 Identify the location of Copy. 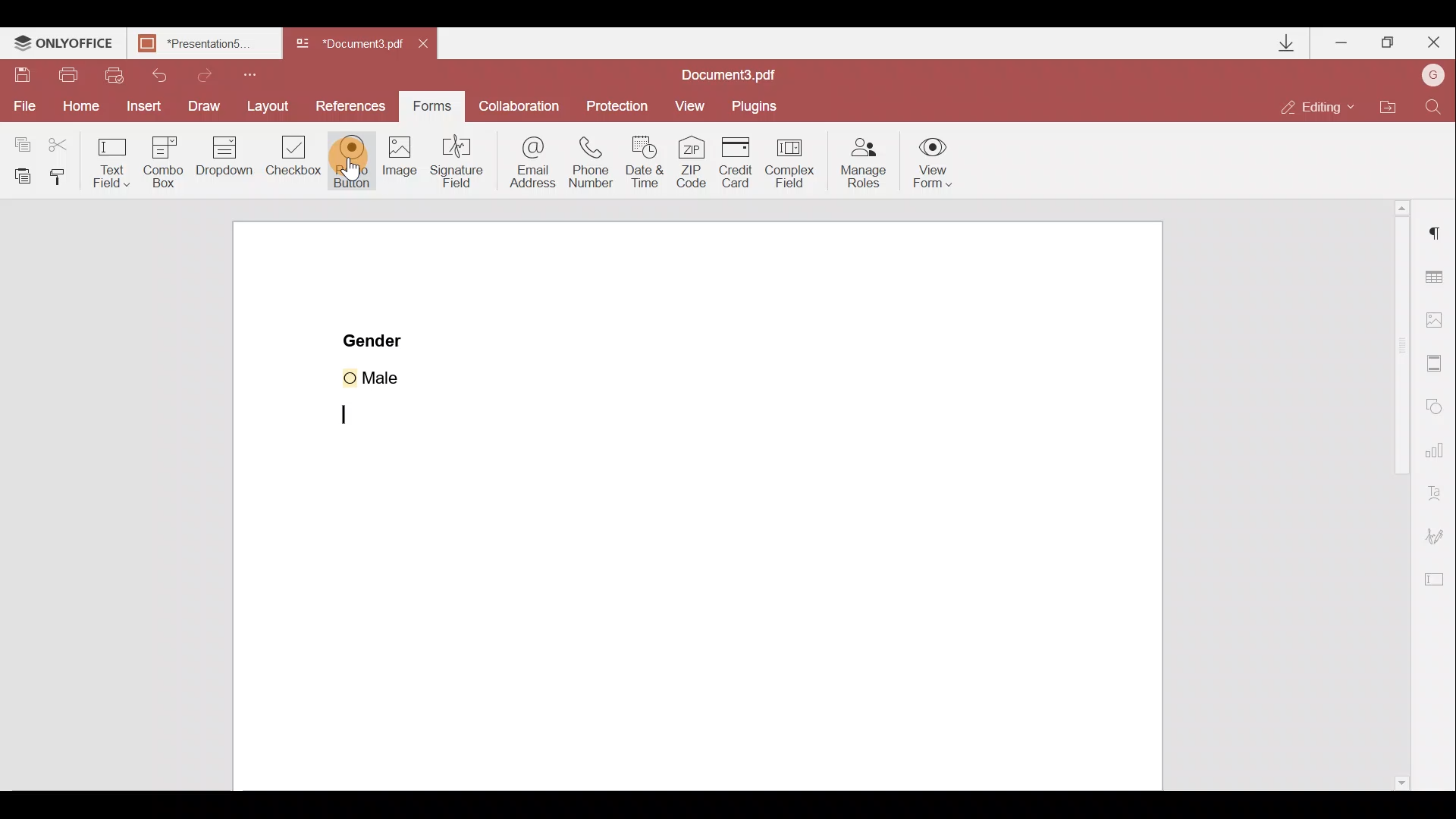
(19, 140).